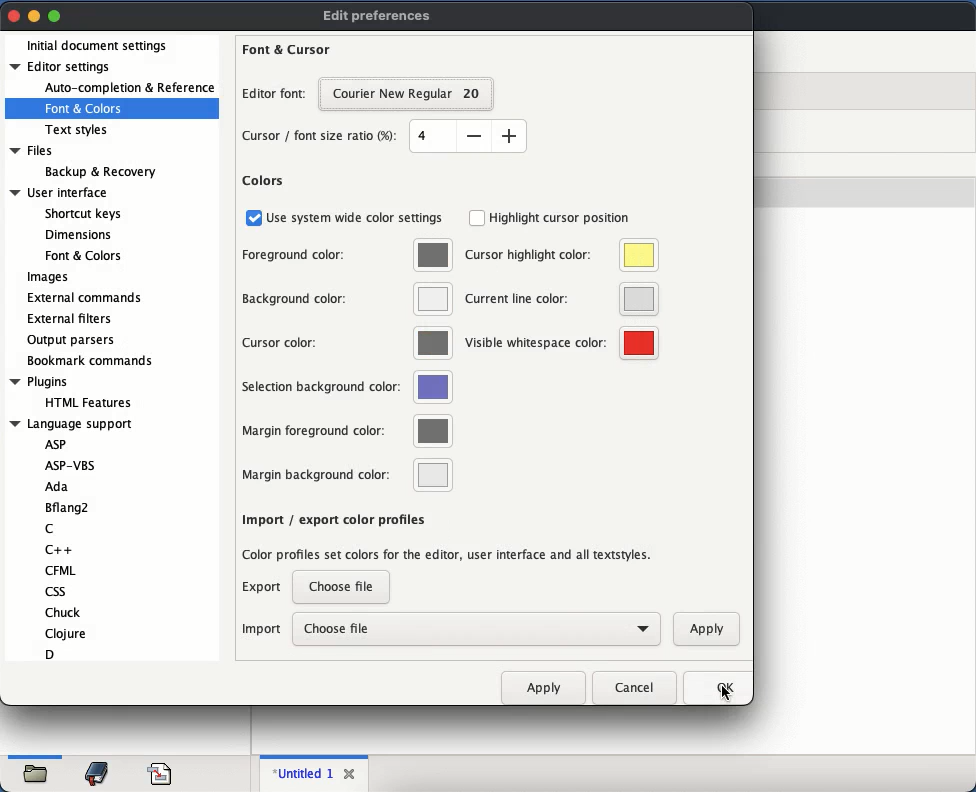 This screenshot has width=976, height=792. Describe the element at coordinates (509, 136) in the screenshot. I see `increase` at that location.